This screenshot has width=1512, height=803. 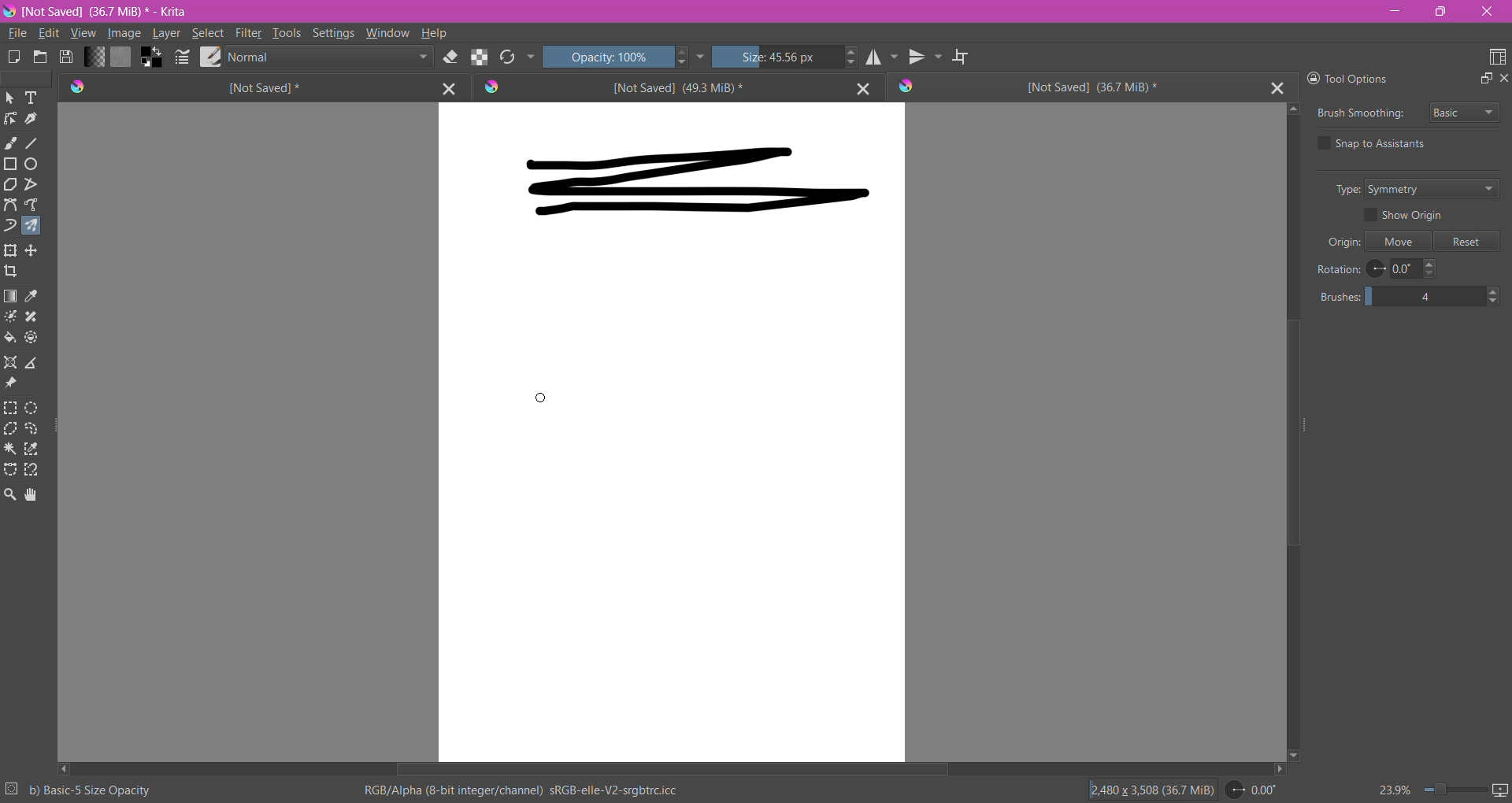 I want to click on Crop the image to an area, so click(x=12, y=272).